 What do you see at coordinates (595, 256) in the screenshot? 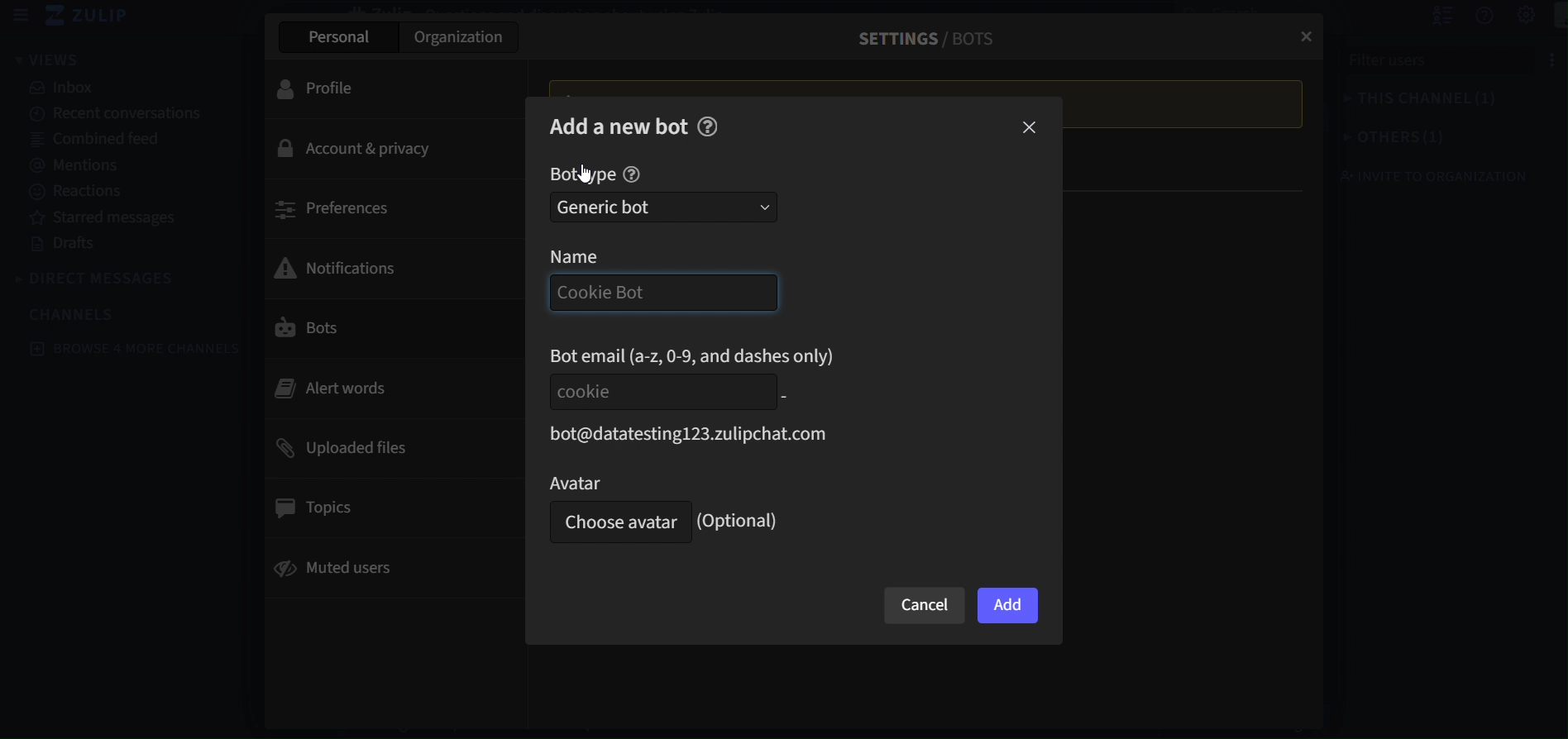
I see `name` at bounding box center [595, 256].